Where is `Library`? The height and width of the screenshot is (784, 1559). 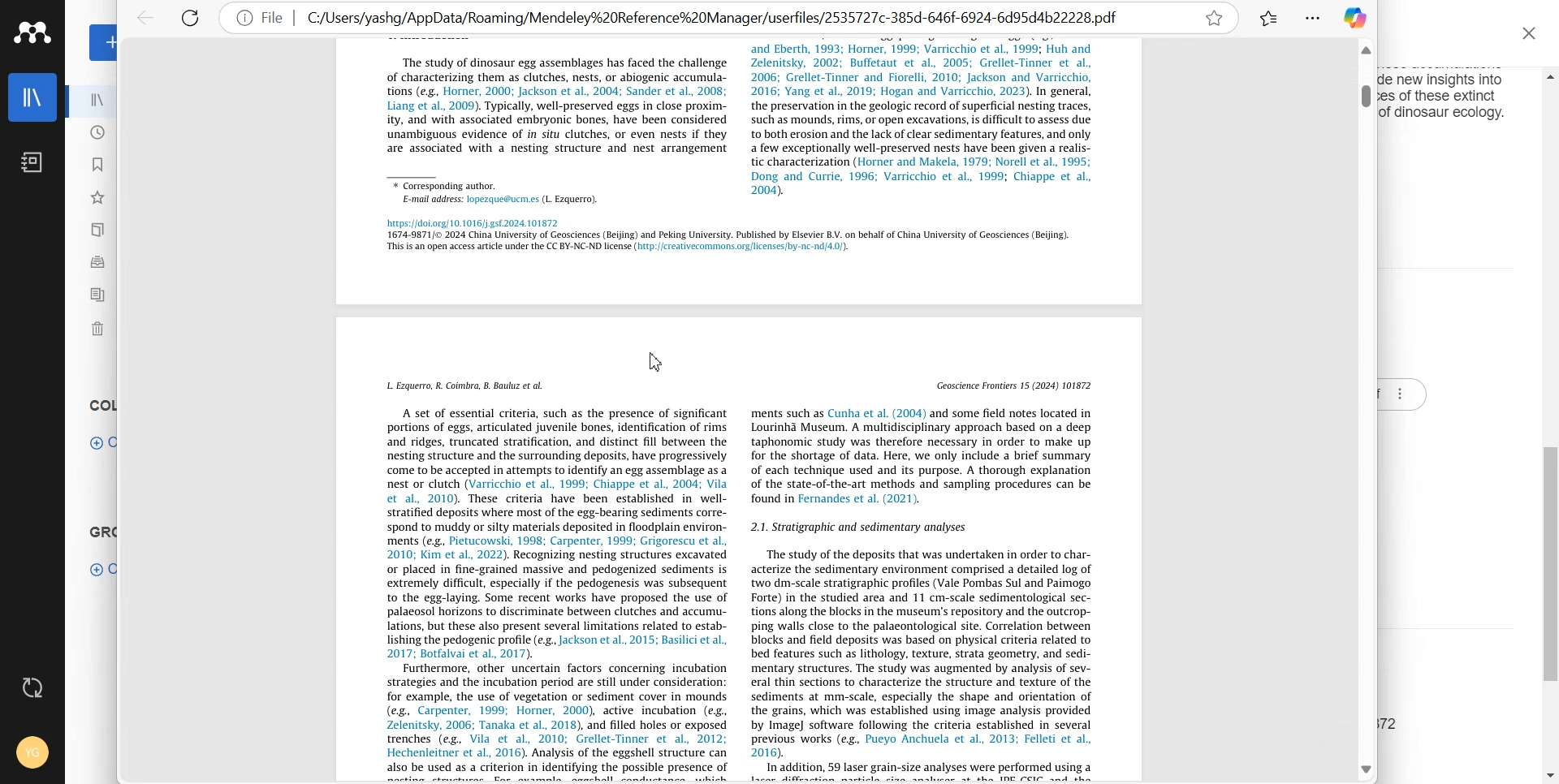
Library is located at coordinates (32, 97).